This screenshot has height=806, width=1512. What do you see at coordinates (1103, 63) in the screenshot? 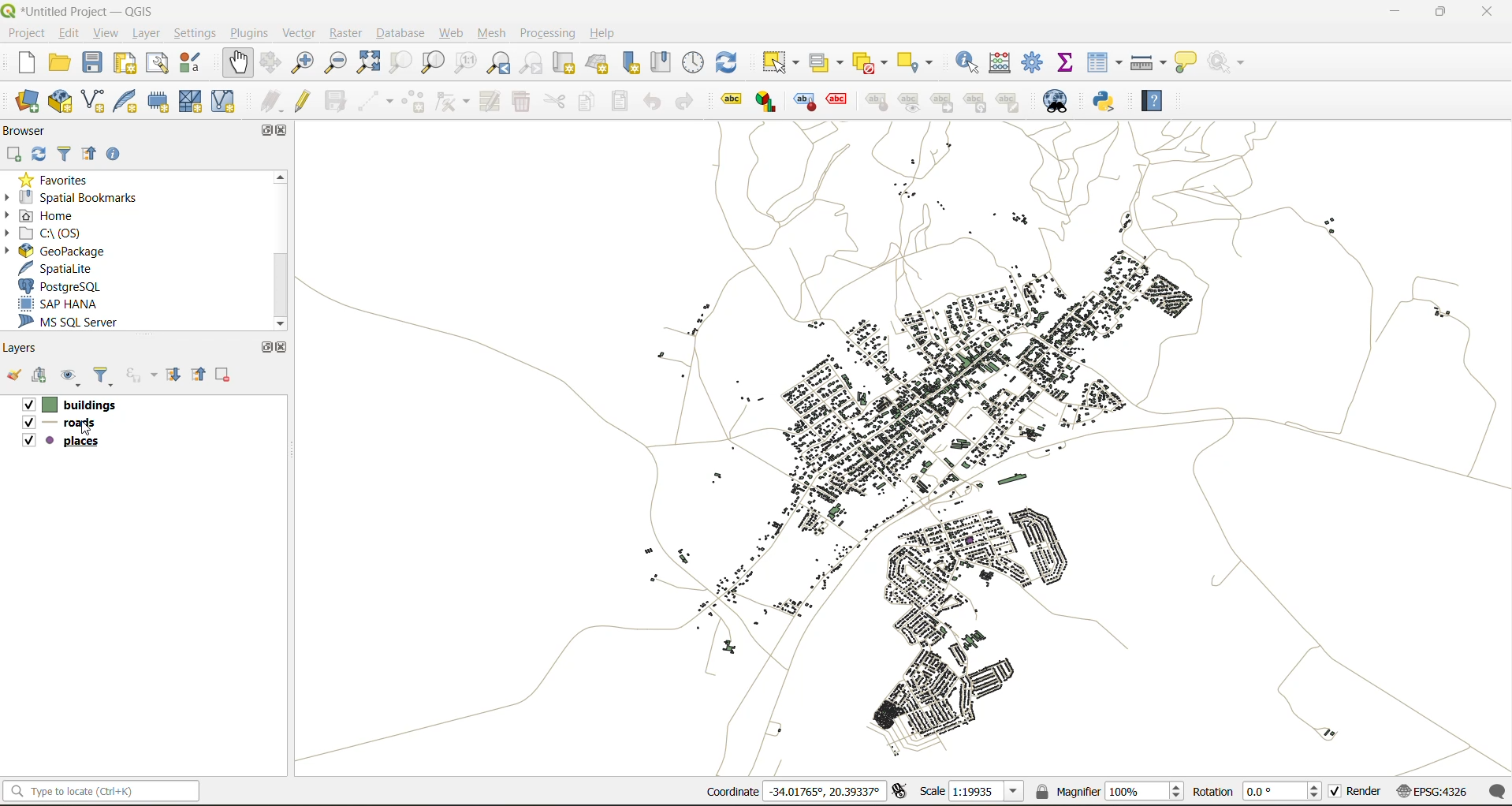
I see `attributes table` at bounding box center [1103, 63].